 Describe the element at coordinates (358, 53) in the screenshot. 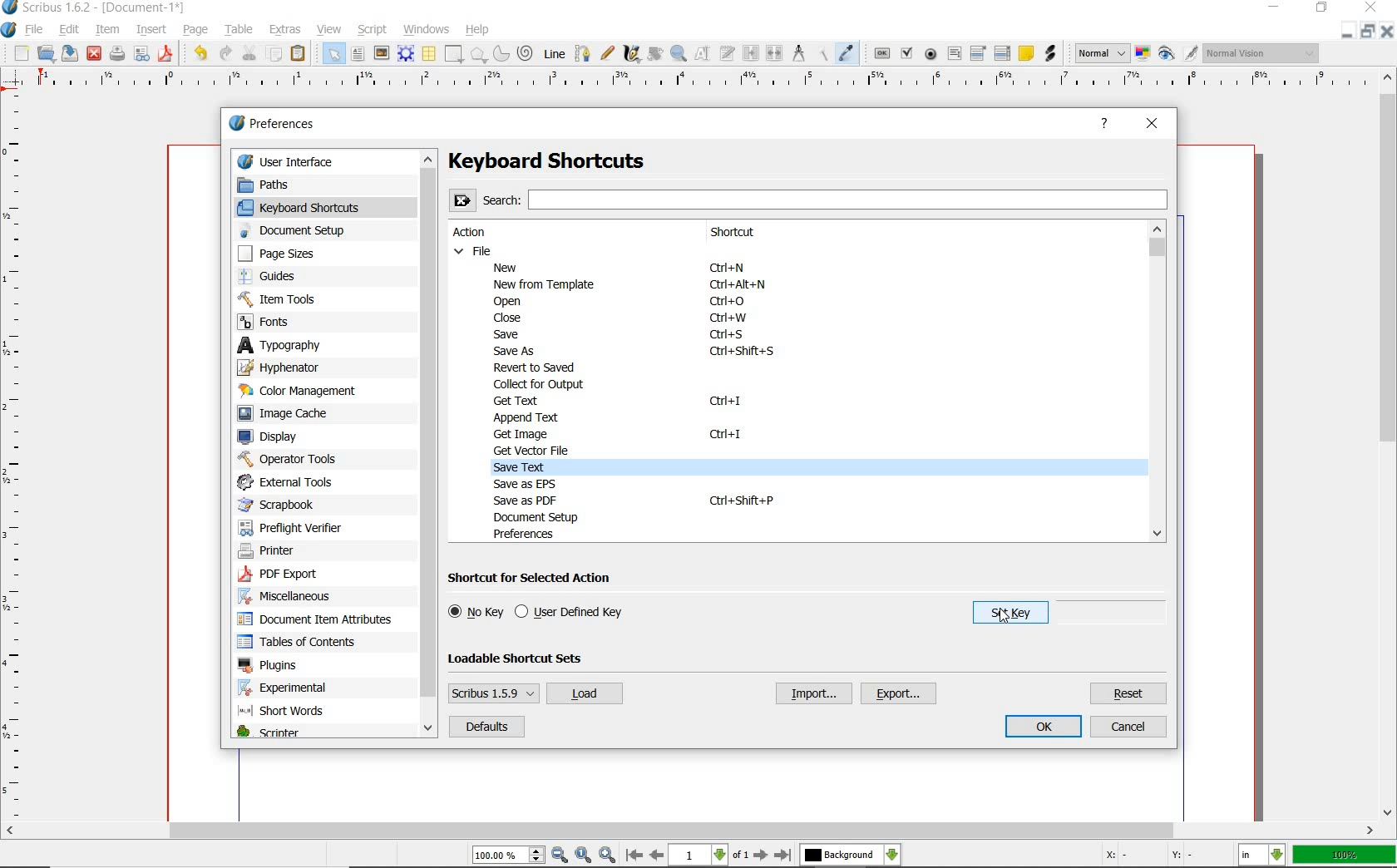

I see `text frame` at that location.